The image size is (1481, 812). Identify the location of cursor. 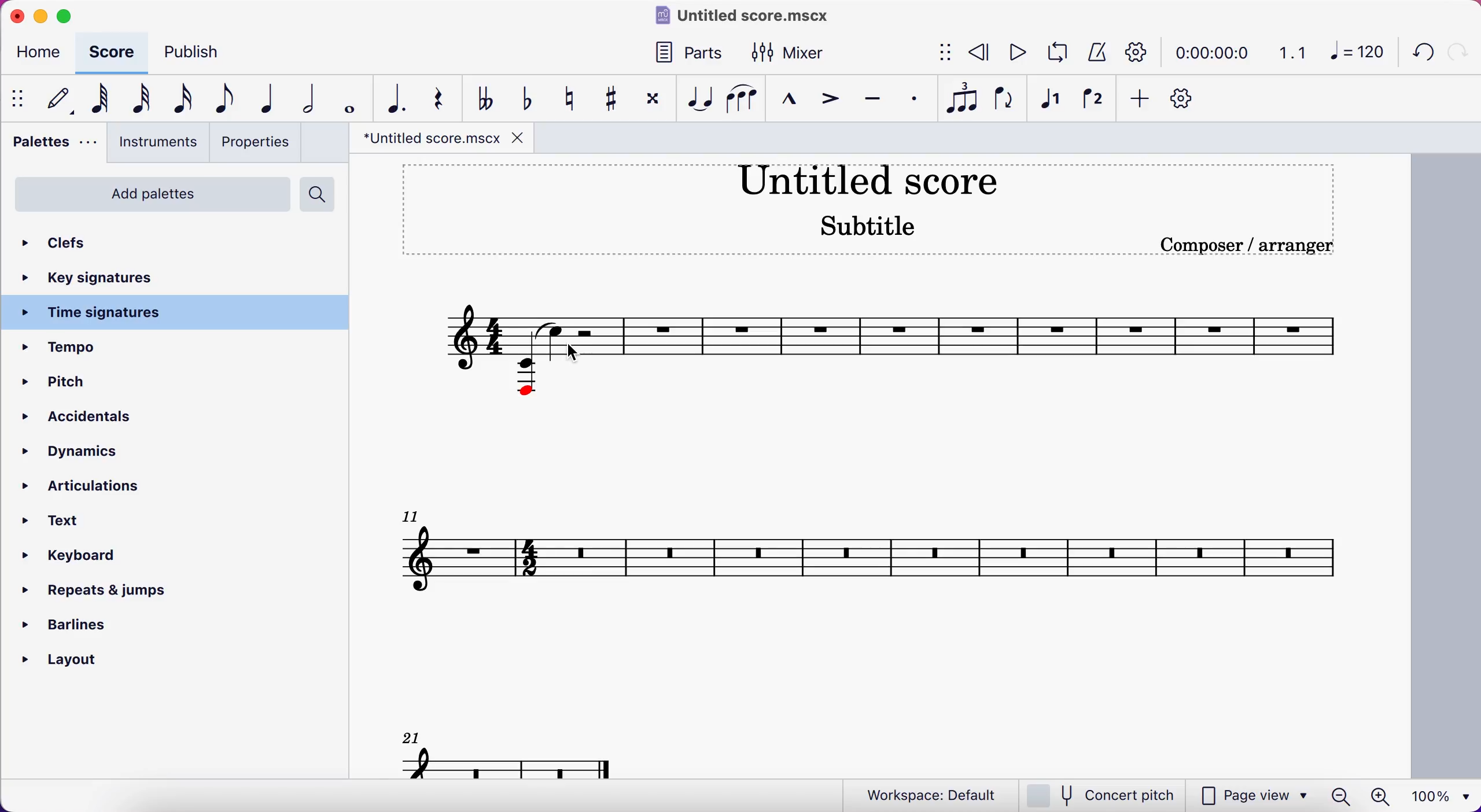
(576, 353).